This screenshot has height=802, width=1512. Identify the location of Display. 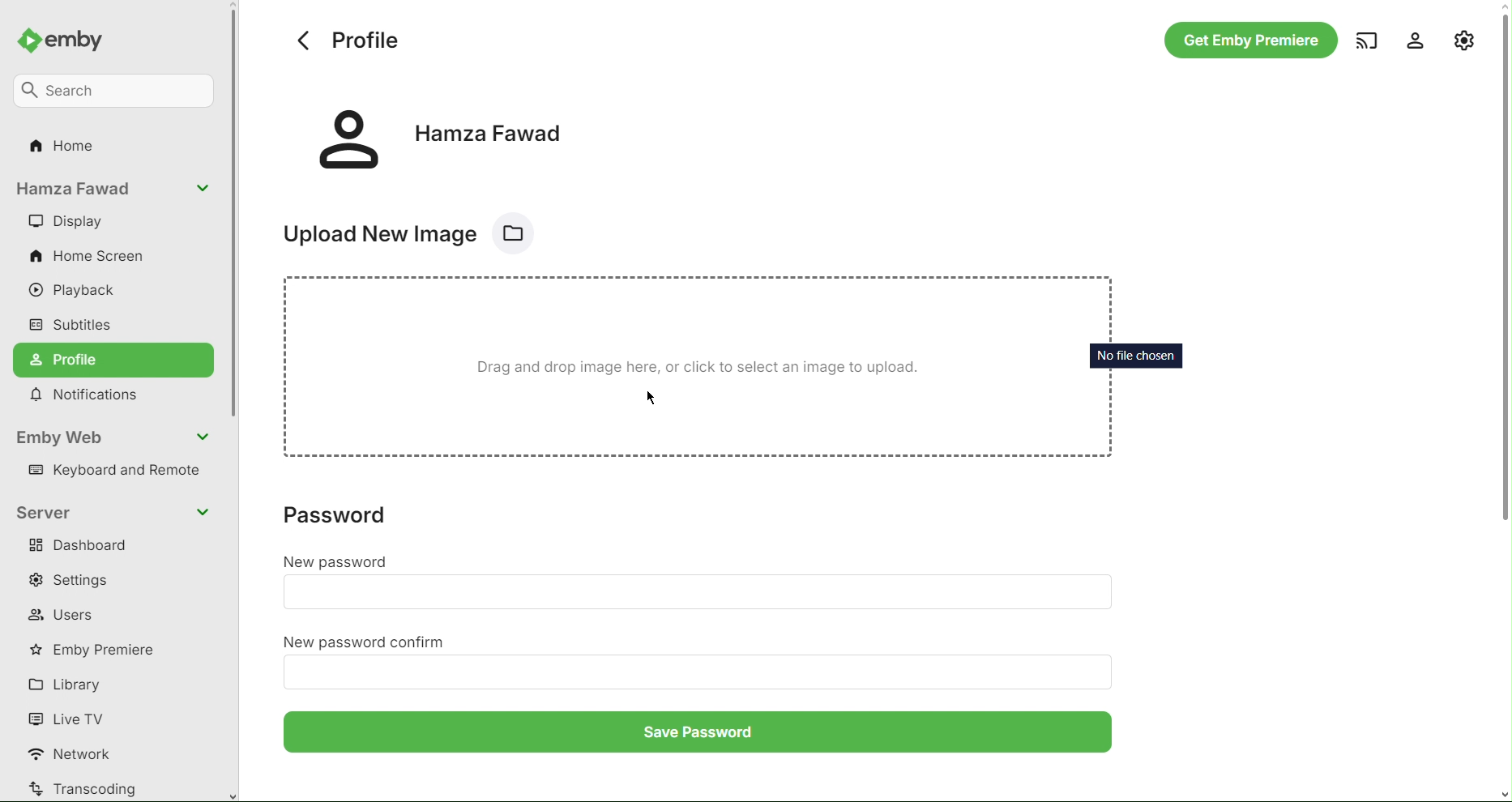
(66, 222).